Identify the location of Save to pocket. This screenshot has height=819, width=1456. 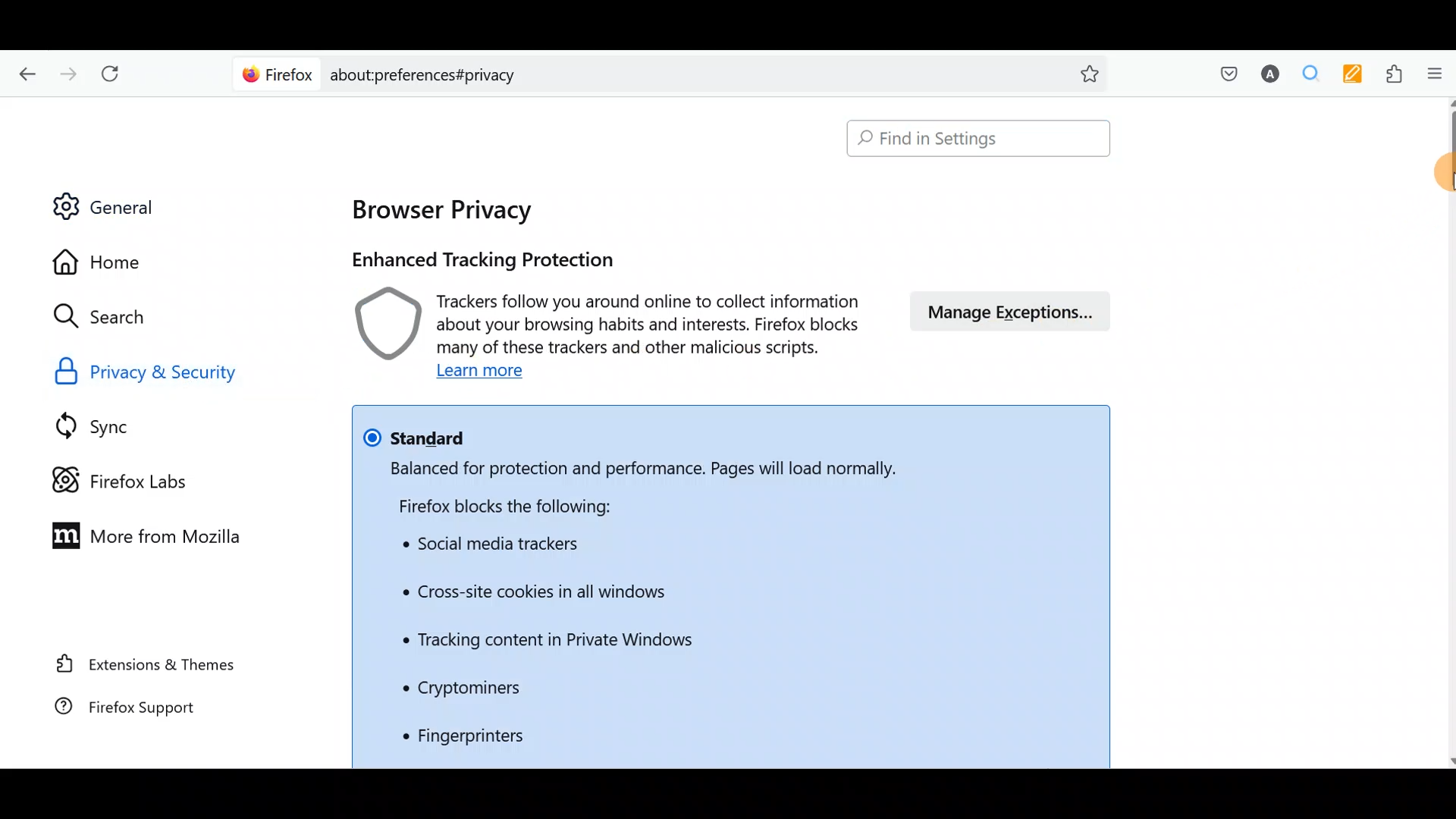
(1222, 73).